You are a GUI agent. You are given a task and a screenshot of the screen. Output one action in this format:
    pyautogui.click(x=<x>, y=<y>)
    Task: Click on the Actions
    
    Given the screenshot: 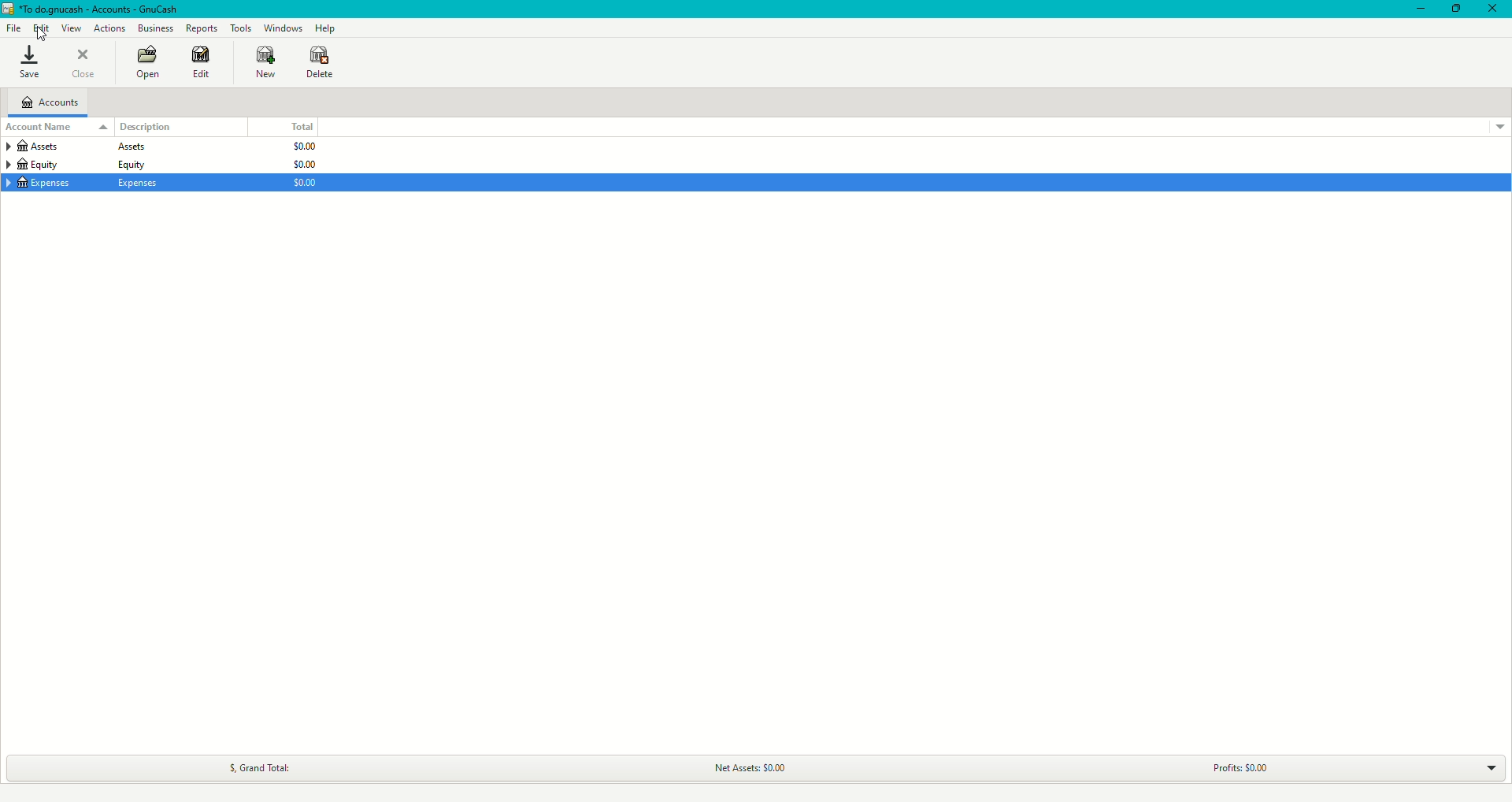 What is the action you would take?
    pyautogui.click(x=111, y=28)
    